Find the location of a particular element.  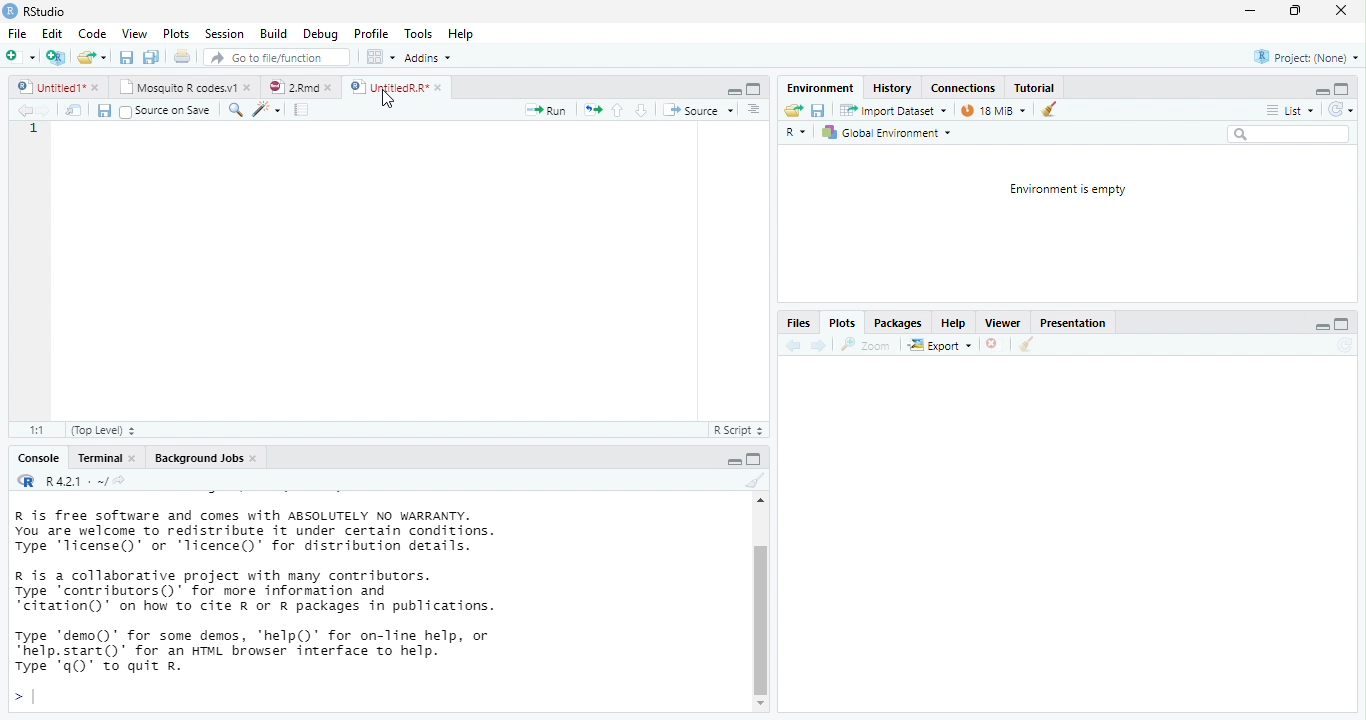

UntitiedR.R" is located at coordinates (387, 87).